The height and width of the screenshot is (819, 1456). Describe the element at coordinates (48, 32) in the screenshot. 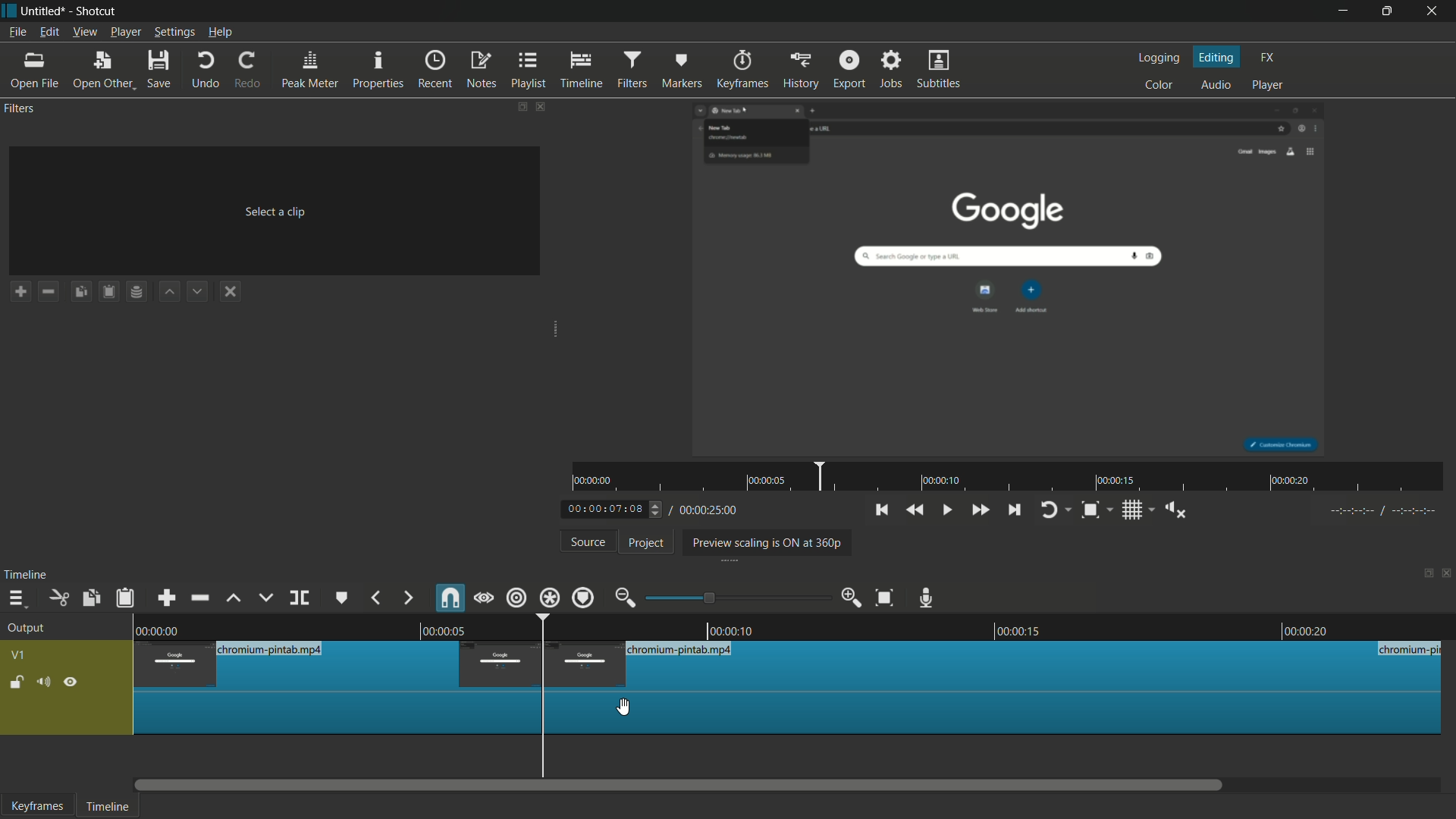

I see `edit menu` at that location.